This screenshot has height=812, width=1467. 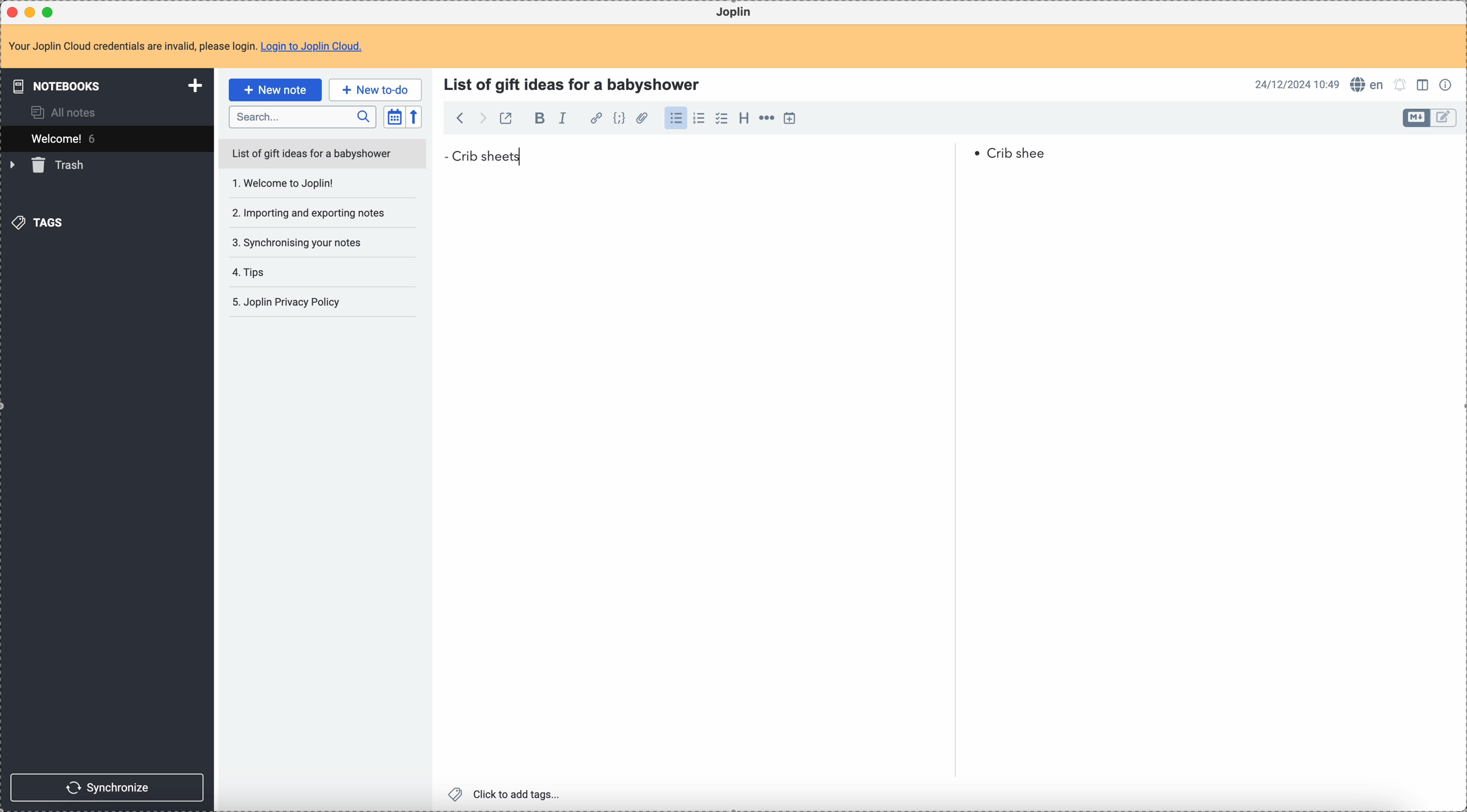 What do you see at coordinates (768, 119) in the screenshot?
I see `horizontal rule` at bounding box center [768, 119].